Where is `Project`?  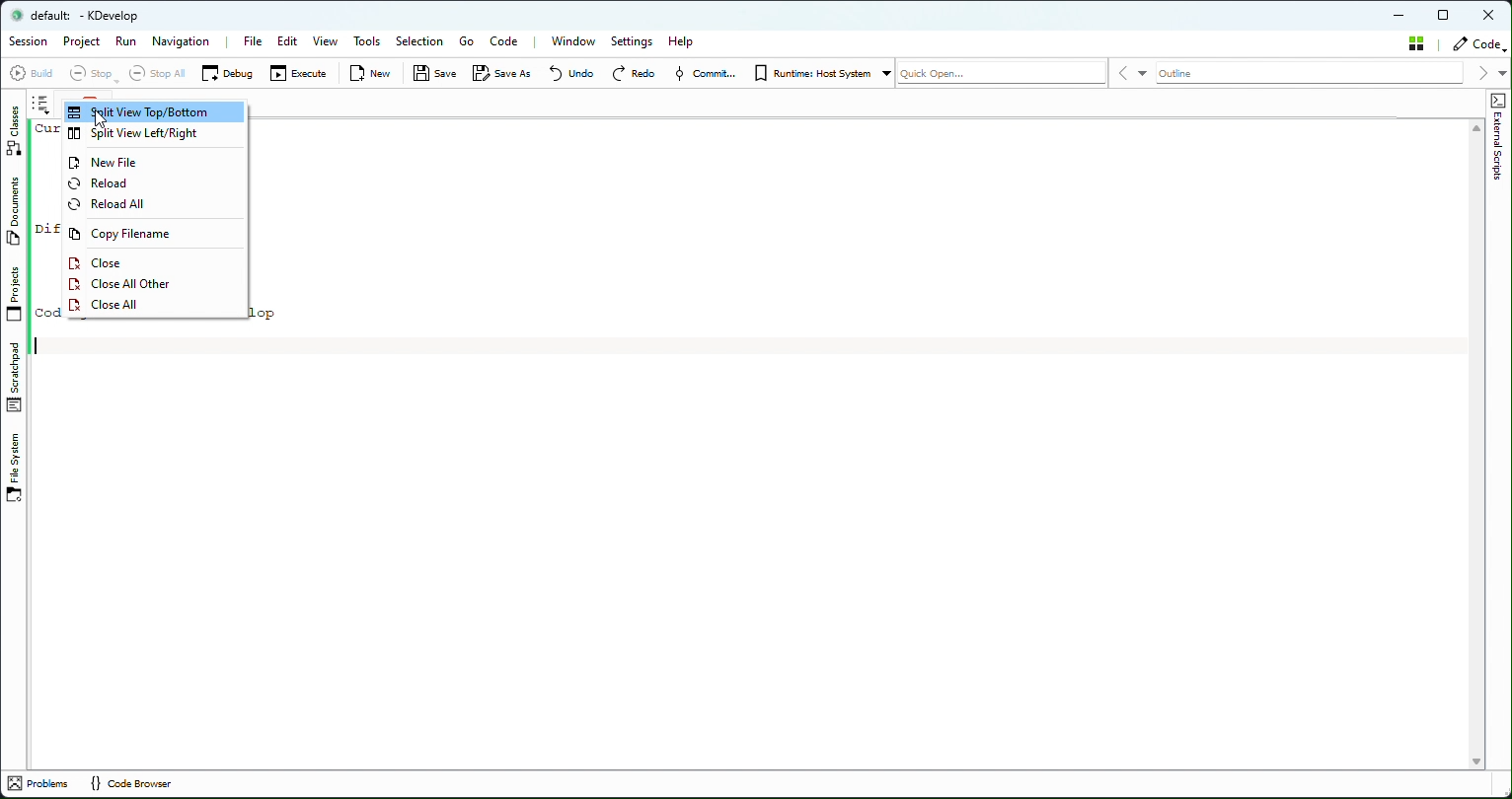
Project is located at coordinates (82, 41).